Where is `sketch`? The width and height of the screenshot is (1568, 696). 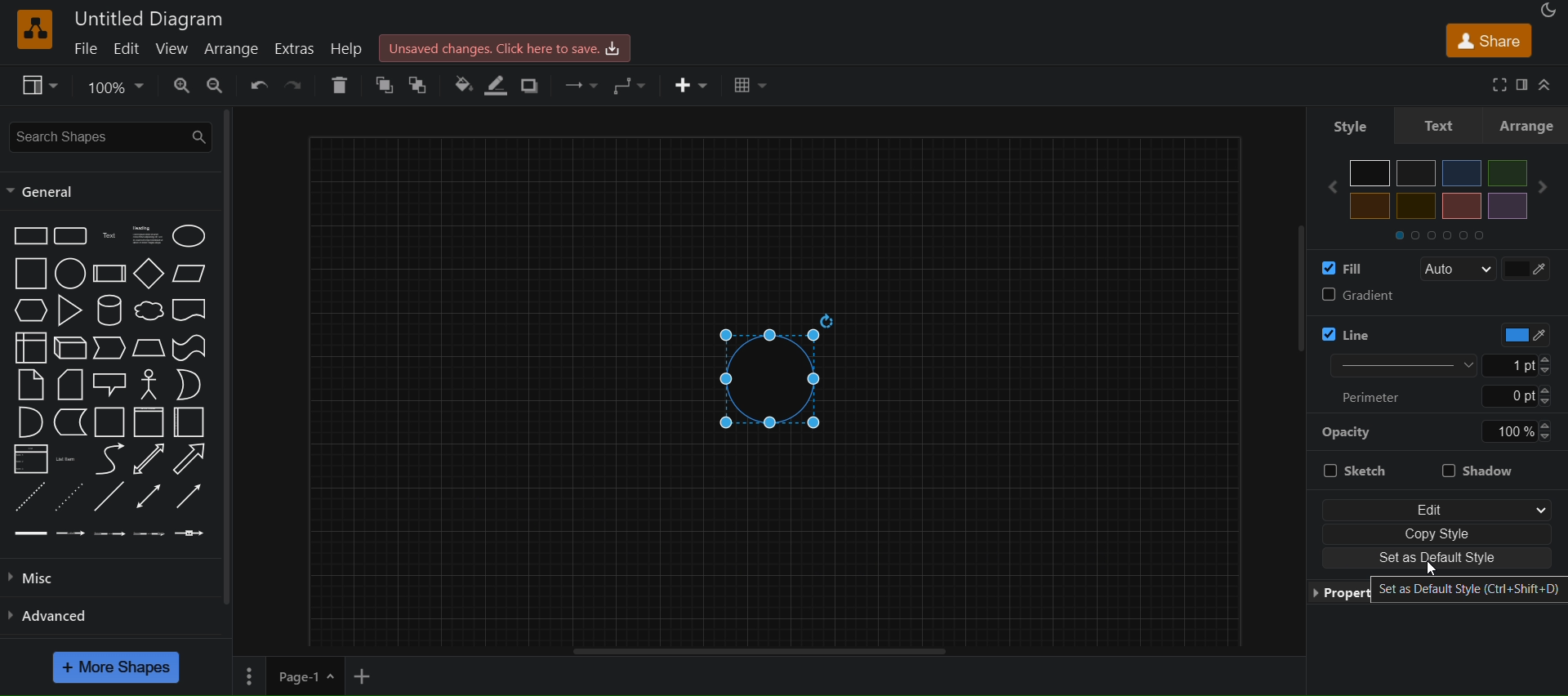 sketch is located at coordinates (1364, 467).